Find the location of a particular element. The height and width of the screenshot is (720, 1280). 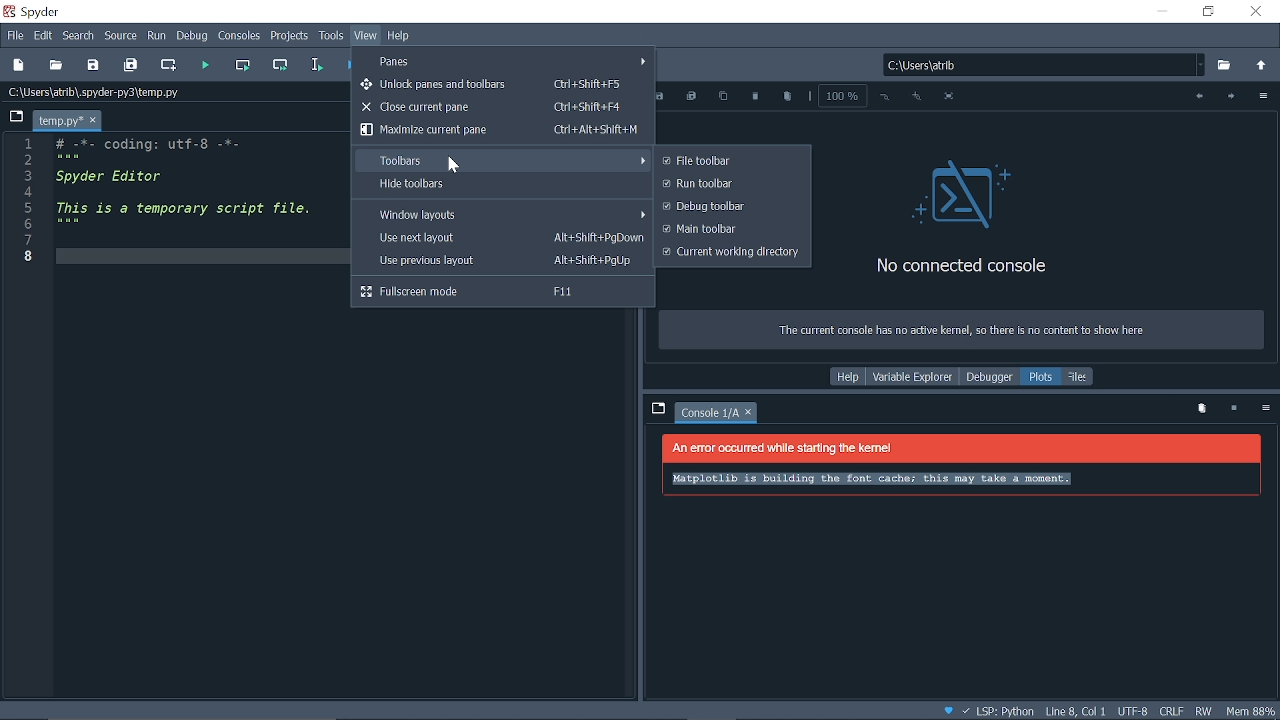

Change to parent directory is located at coordinates (1262, 67).